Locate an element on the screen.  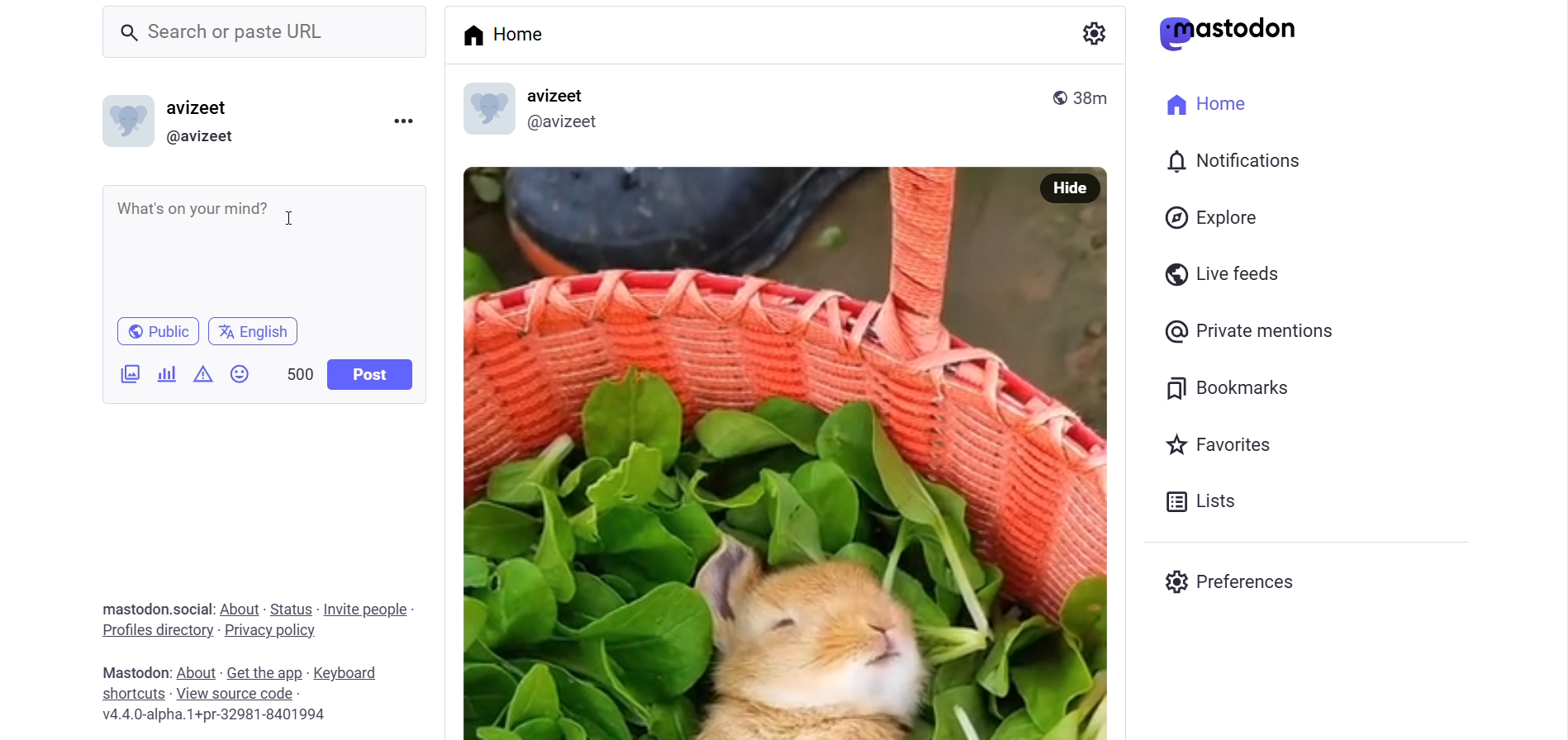
private Mentions is located at coordinates (1247, 331).